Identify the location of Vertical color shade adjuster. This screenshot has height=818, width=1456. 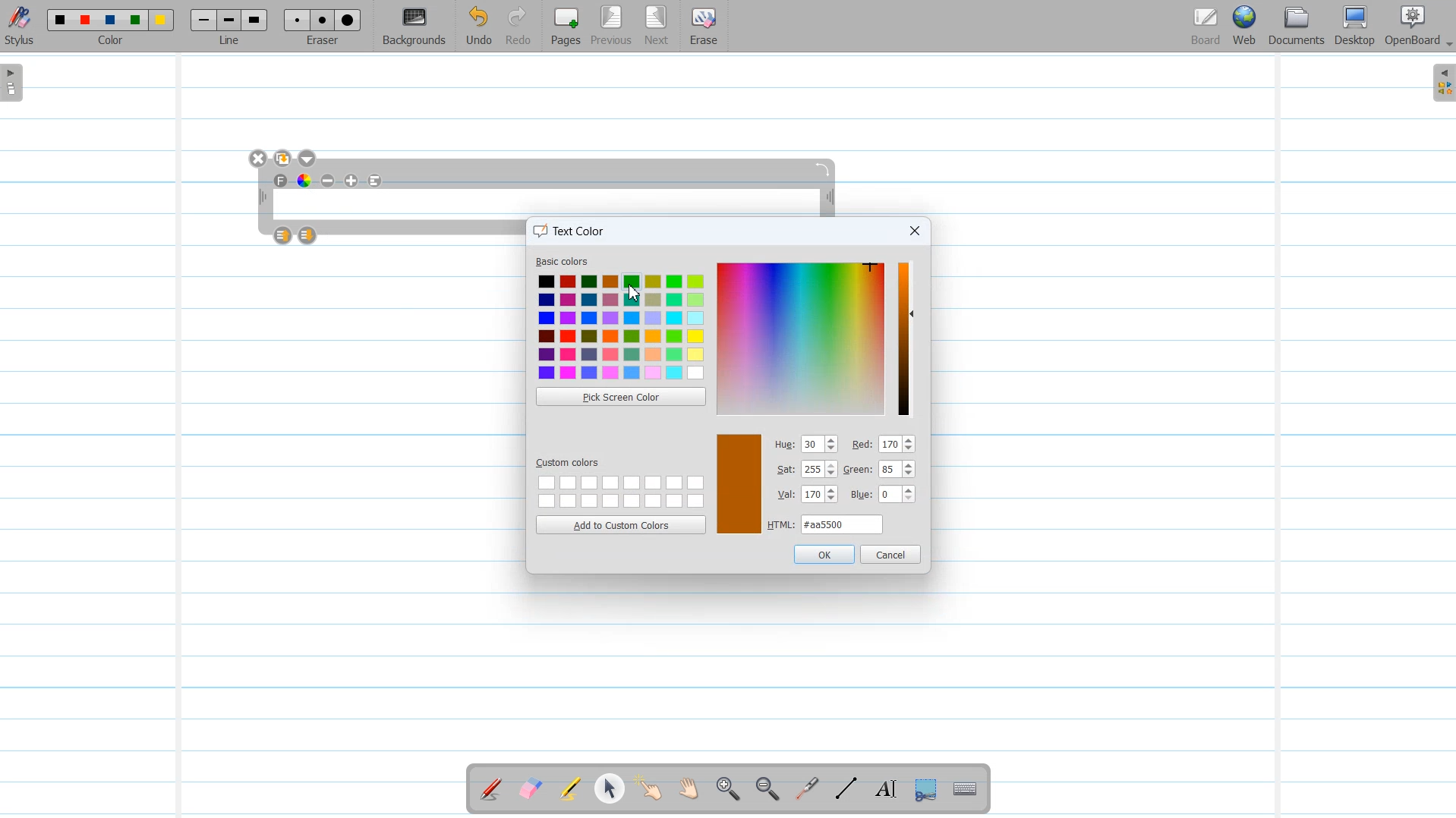
(905, 338).